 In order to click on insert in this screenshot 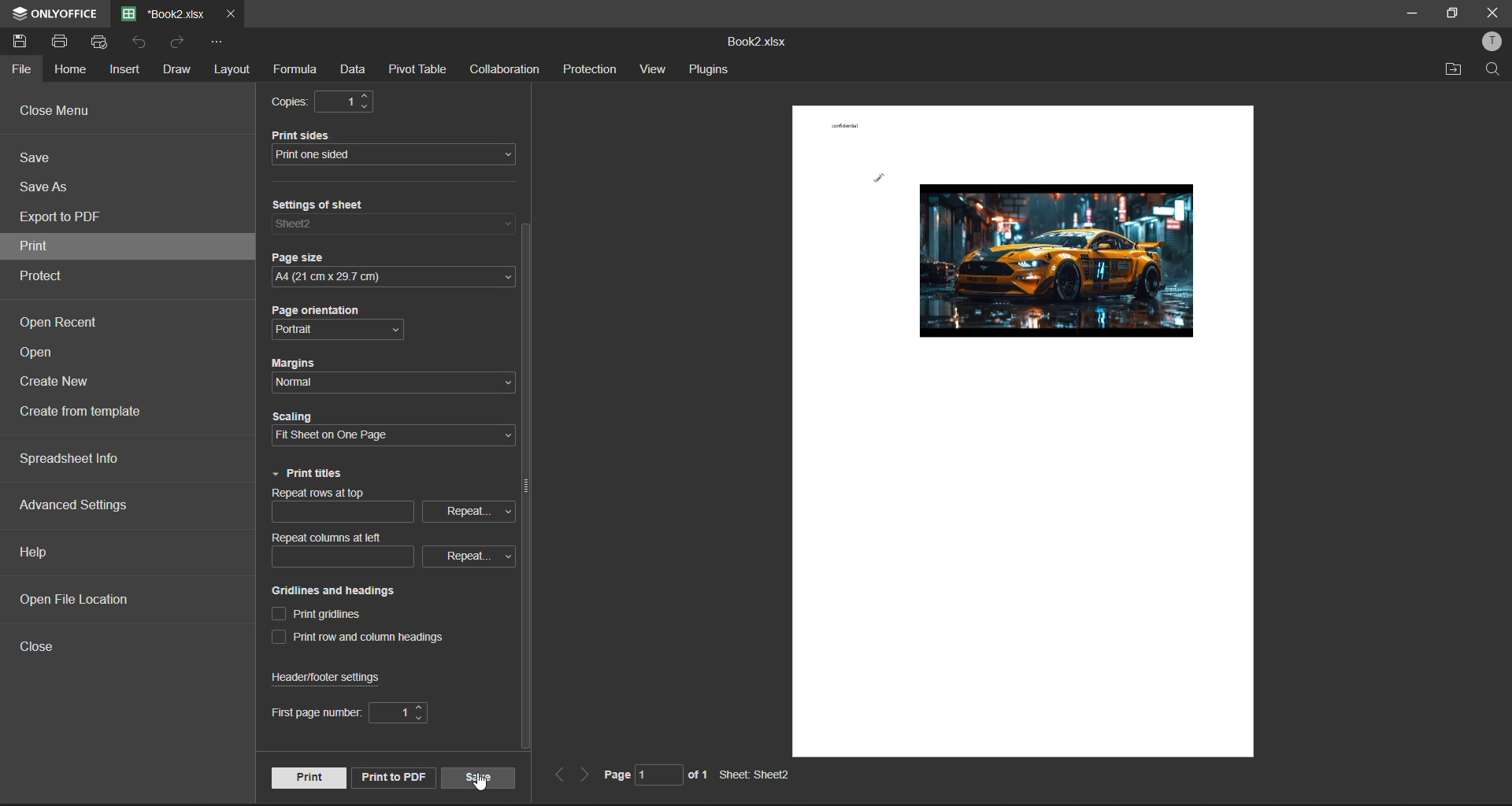, I will do `click(127, 70)`.